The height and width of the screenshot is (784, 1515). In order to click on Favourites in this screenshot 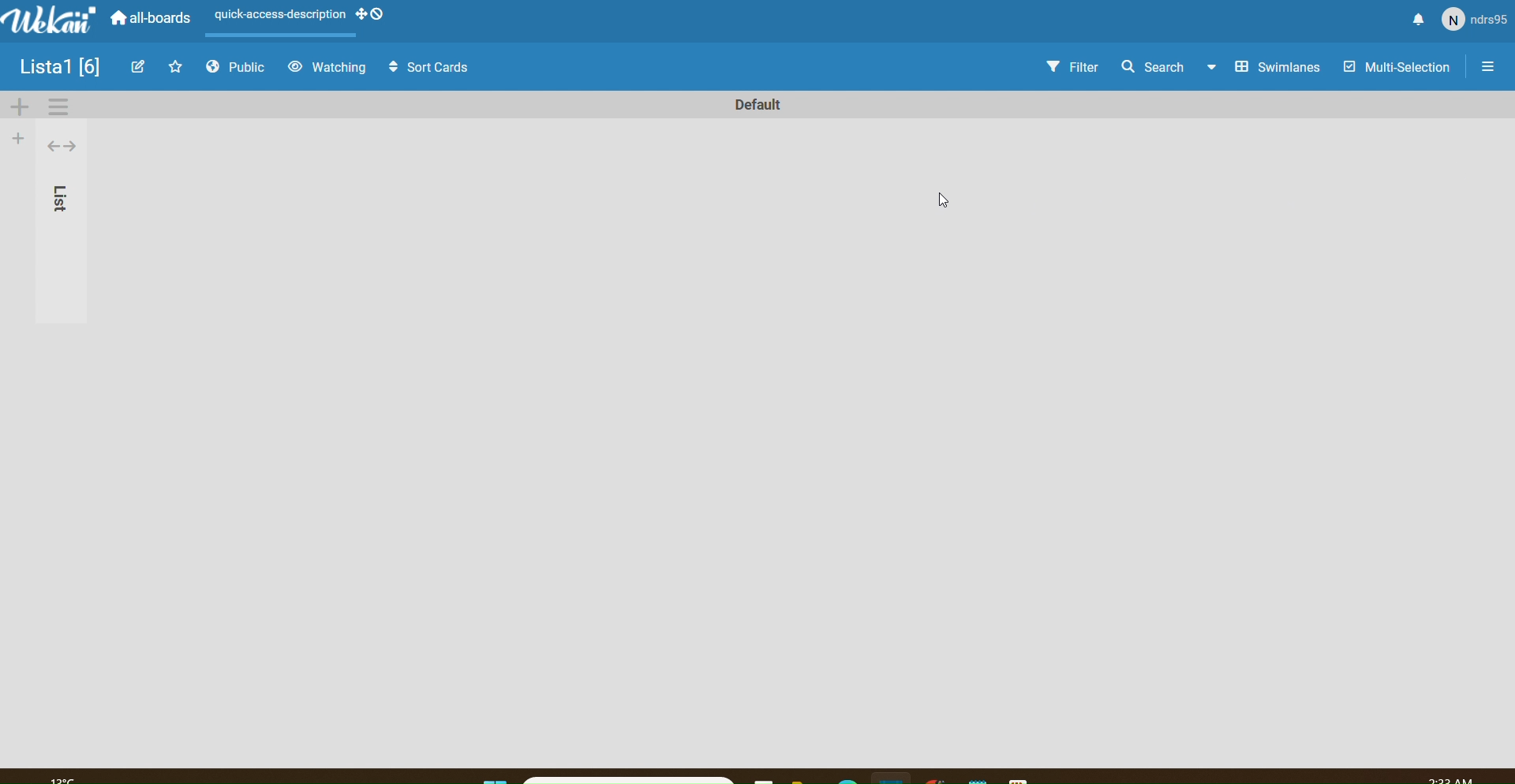, I will do `click(178, 67)`.